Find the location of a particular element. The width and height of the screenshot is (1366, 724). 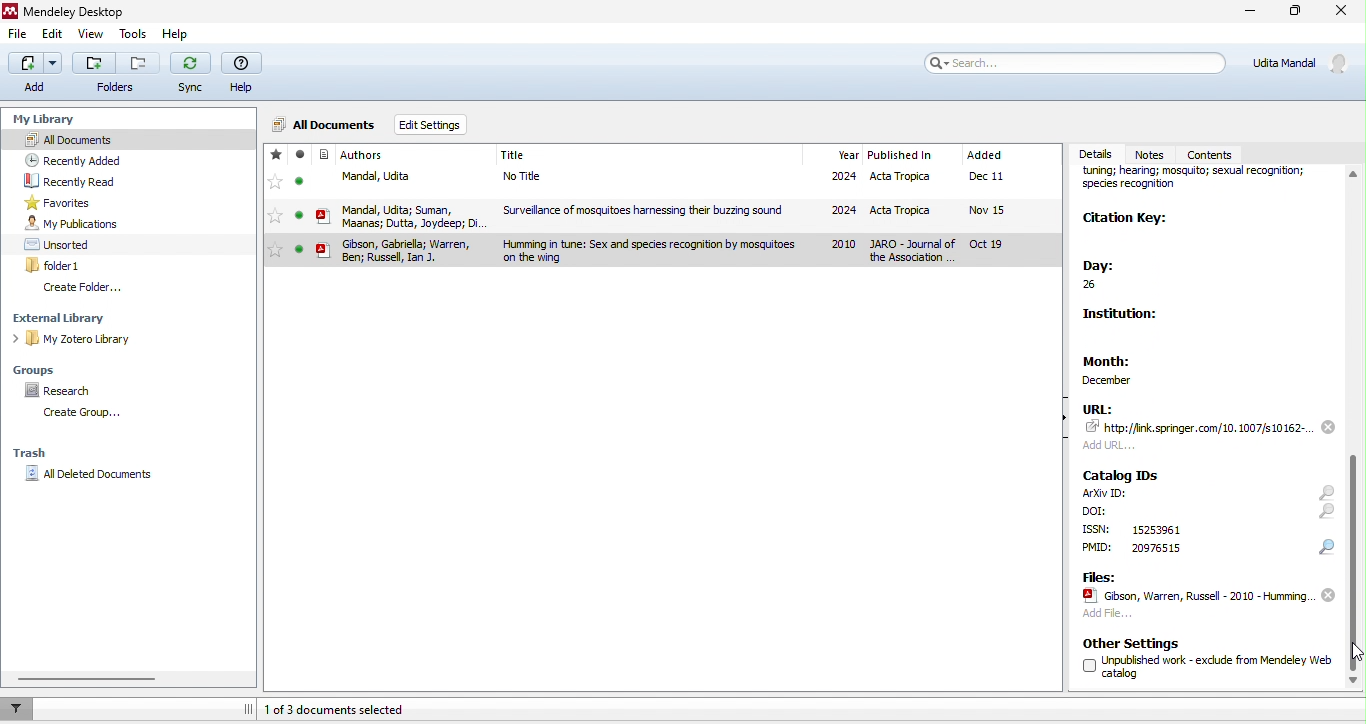

text is located at coordinates (1156, 529).